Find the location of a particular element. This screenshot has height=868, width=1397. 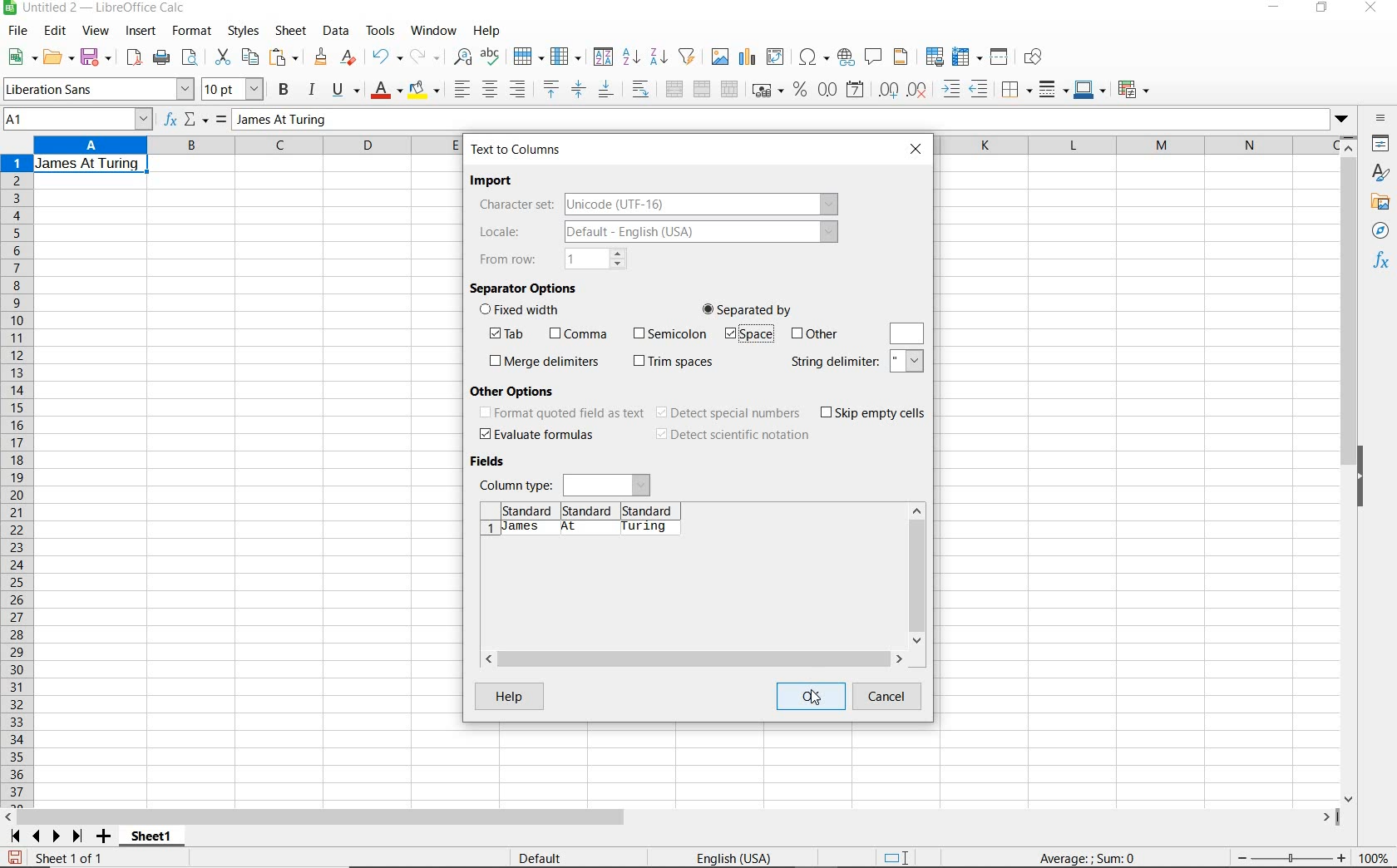

Help is located at coordinates (508, 696).